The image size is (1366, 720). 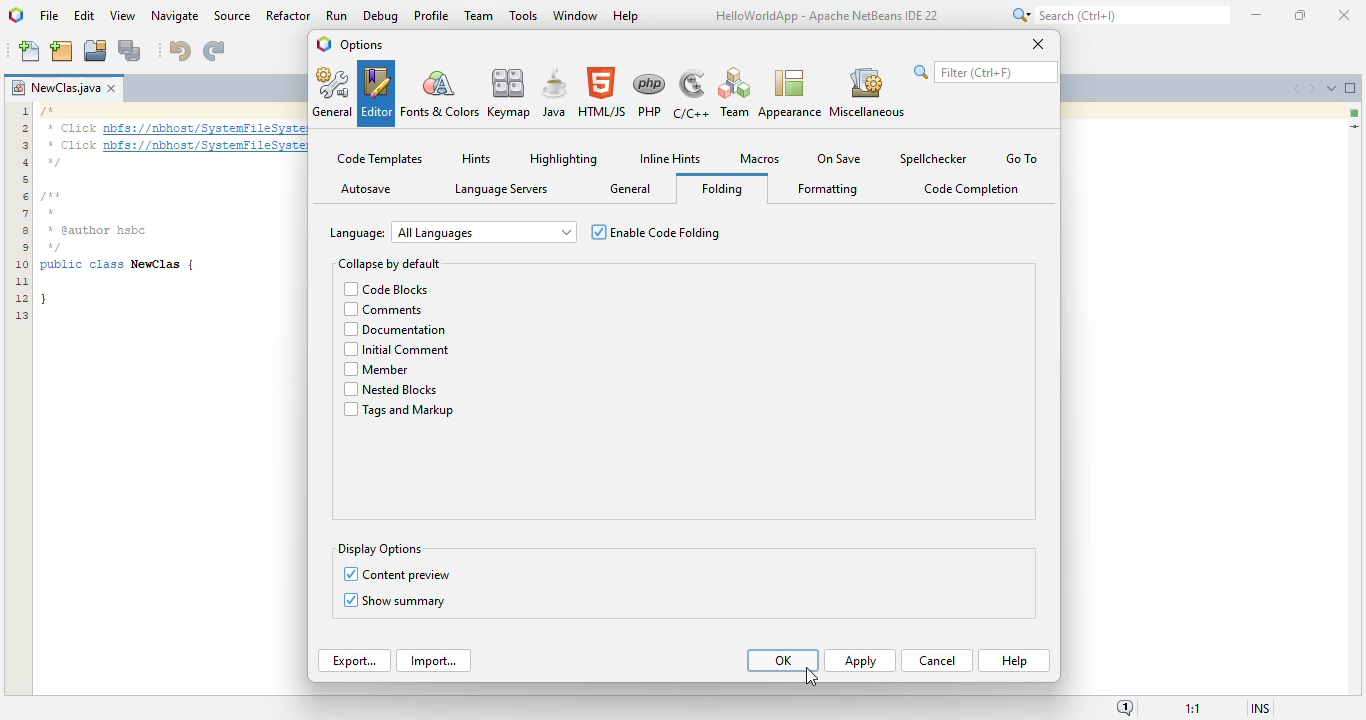 What do you see at coordinates (1259, 708) in the screenshot?
I see `insert mode` at bounding box center [1259, 708].